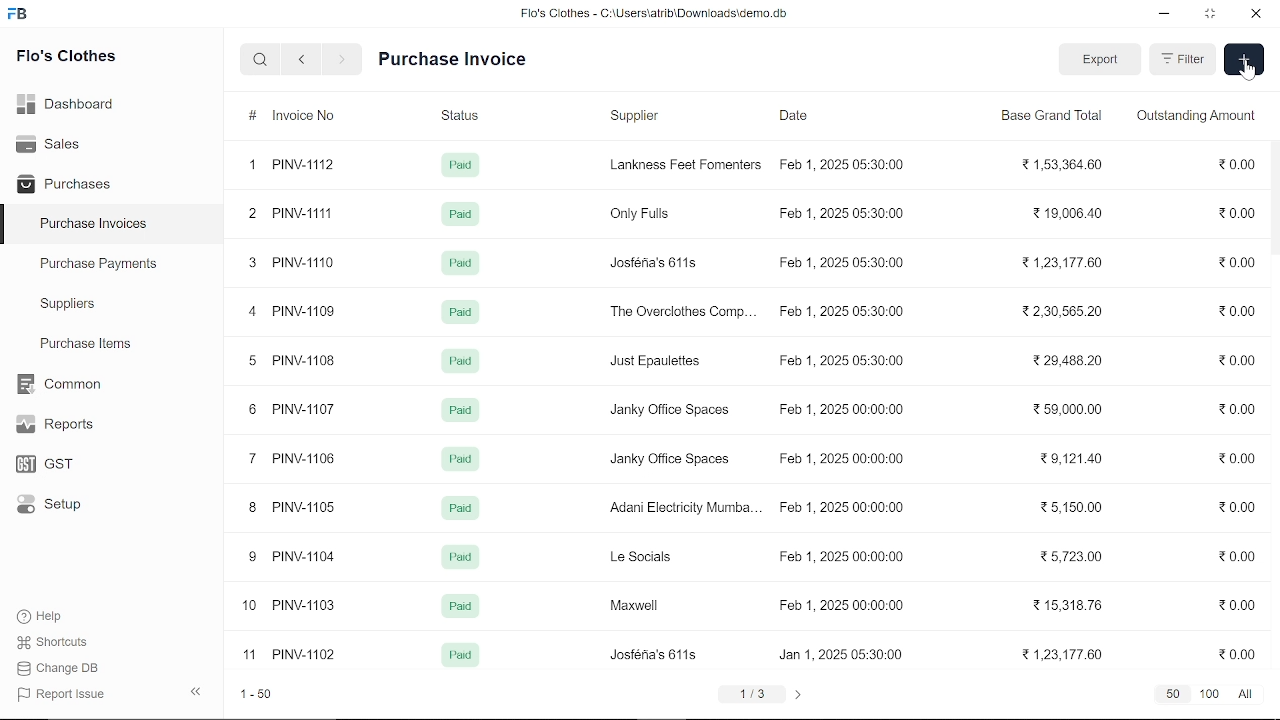 This screenshot has height=720, width=1280. What do you see at coordinates (653, 17) in the screenshot?
I see `Flo's Clothes - C:\Users\alrib\Downioads'cemo.db.` at bounding box center [653, 17].